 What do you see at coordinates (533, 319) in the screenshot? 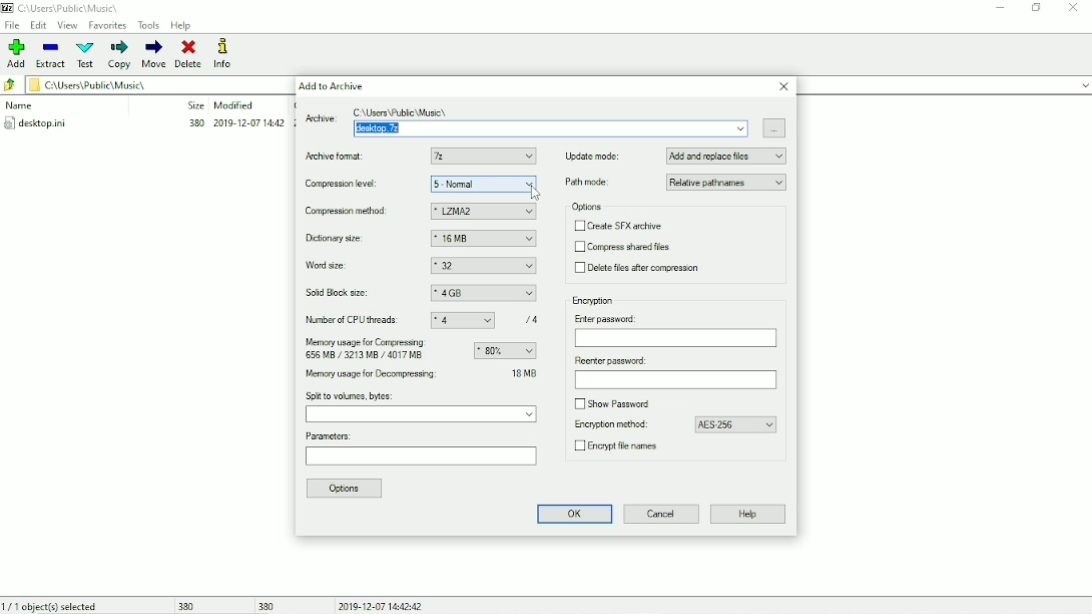
I see `/4` at bounding box center [533, 319].